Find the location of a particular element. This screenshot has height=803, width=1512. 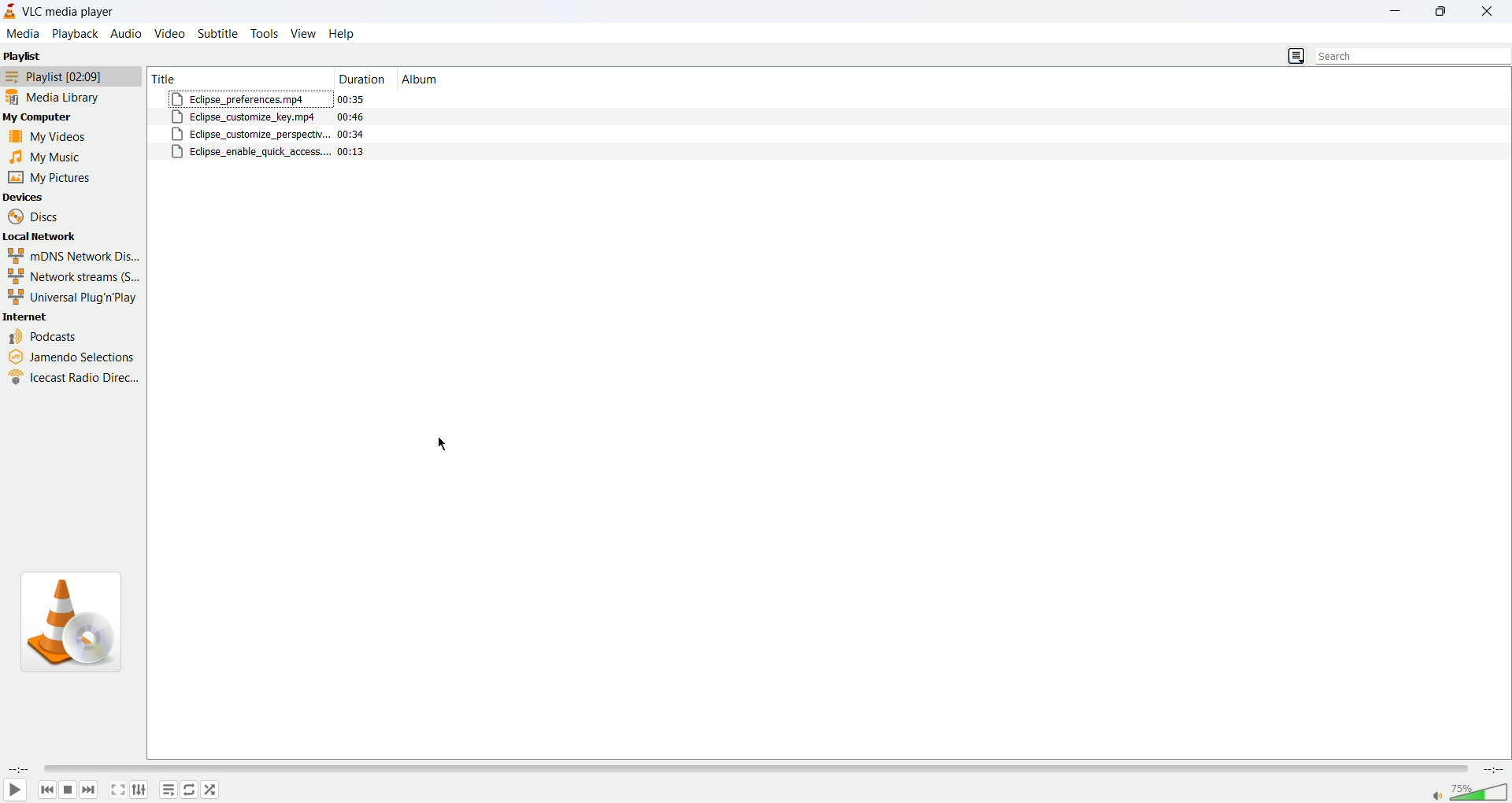

icon is located at coordinates (69, 624).